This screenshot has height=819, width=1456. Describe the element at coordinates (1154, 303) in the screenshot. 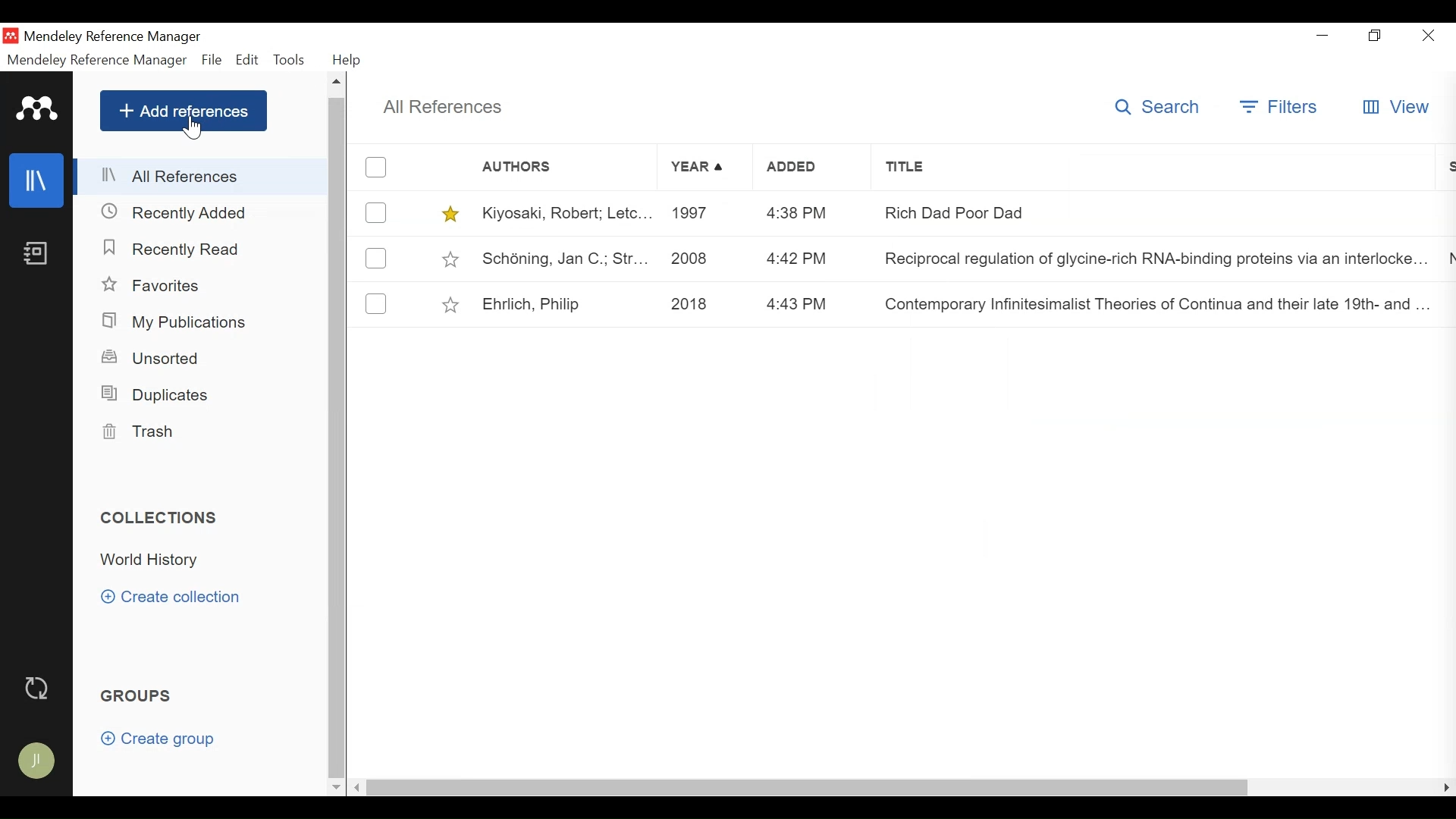

I see `Contemporary Infinitesimalist Theories of Continua and their late 19th-and` at that location.